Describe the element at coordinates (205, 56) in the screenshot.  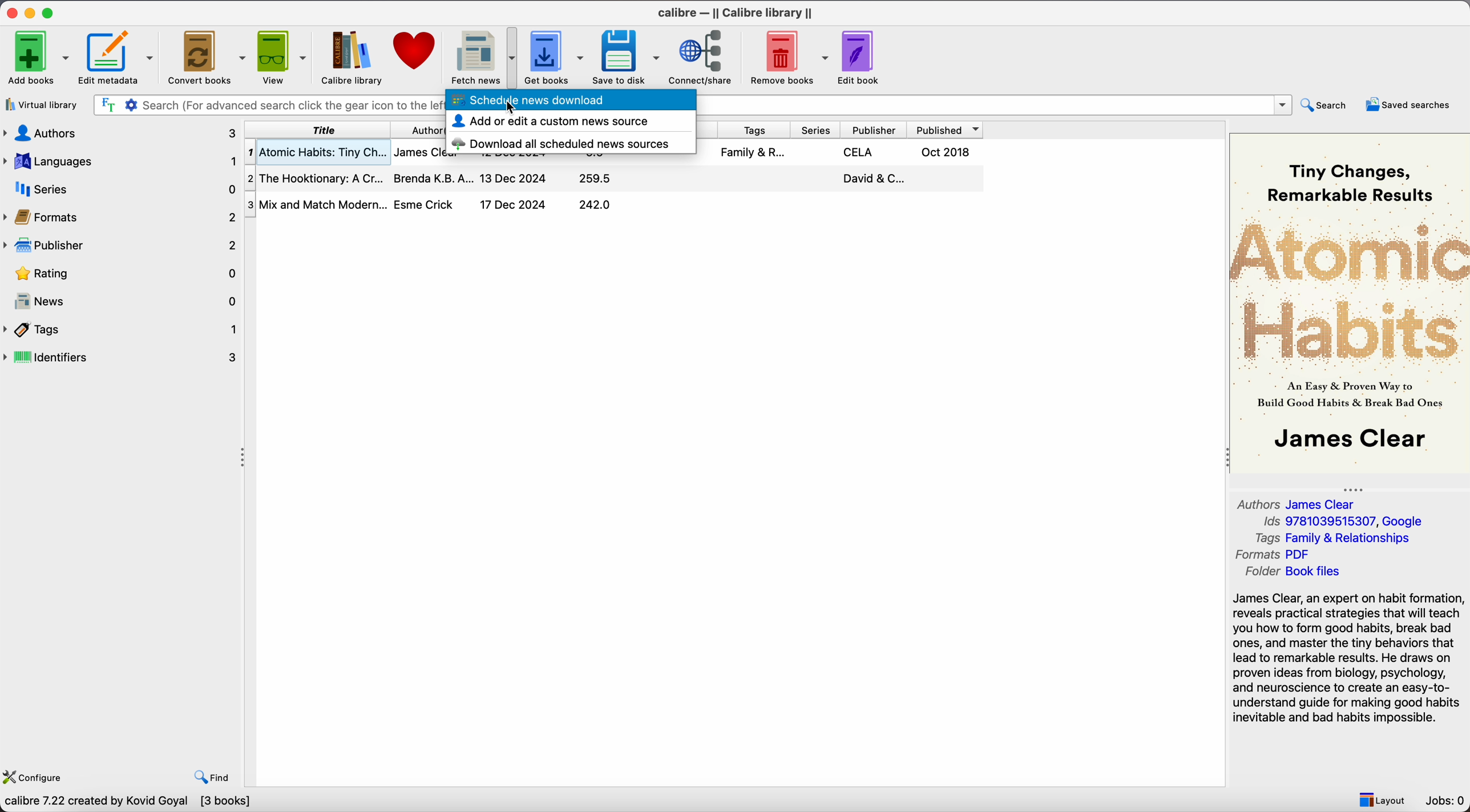
I see `convert books` at that location.